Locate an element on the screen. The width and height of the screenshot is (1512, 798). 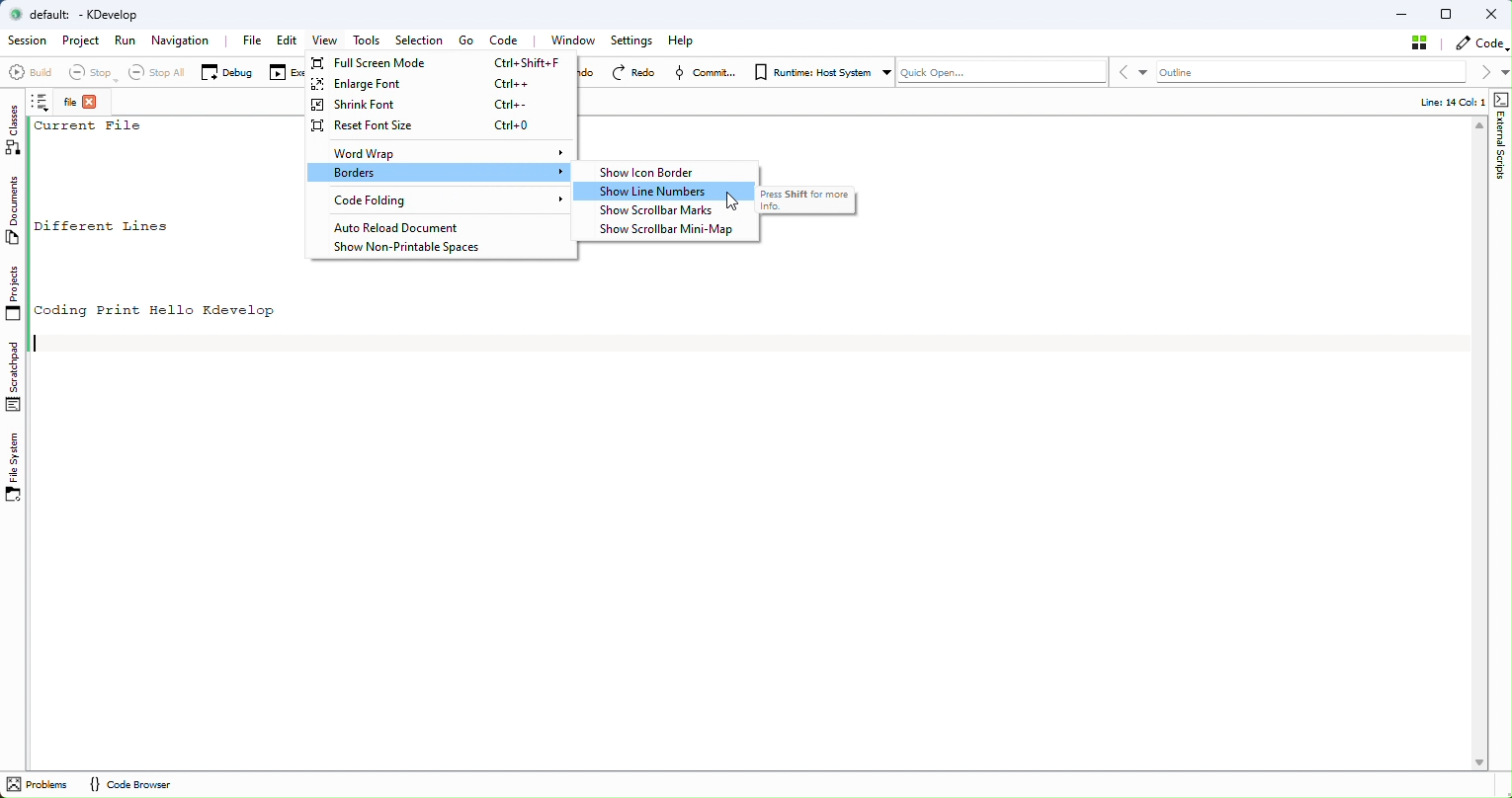
Tools is located at coordinates (371, 42).